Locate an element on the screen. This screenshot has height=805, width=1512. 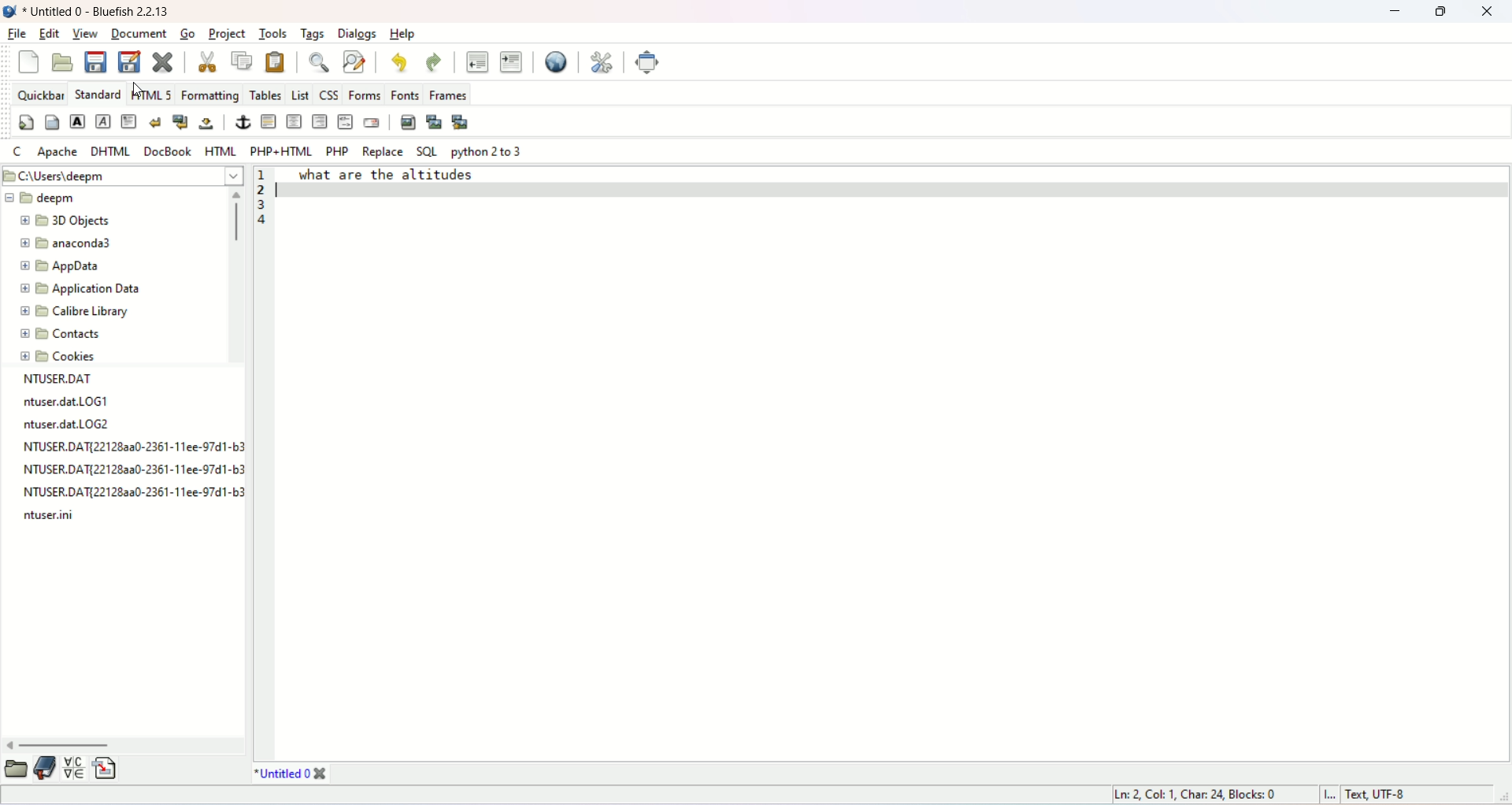
line number is located at coordinates (265, 189).